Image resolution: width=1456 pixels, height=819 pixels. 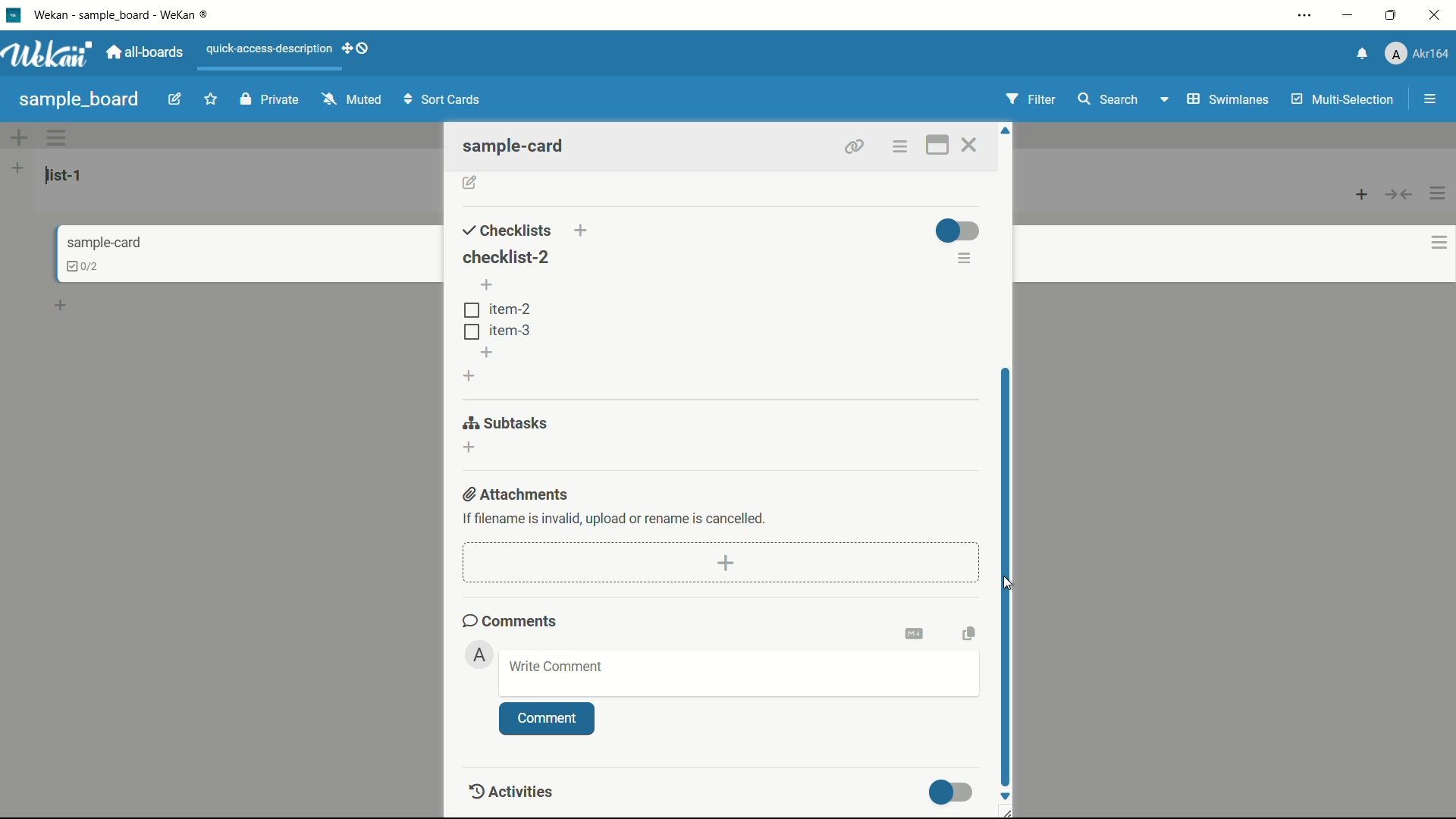 What do you see at coordinates (470, 184) in the screenshot?
I see `add description` at bounding box center [470, 184].